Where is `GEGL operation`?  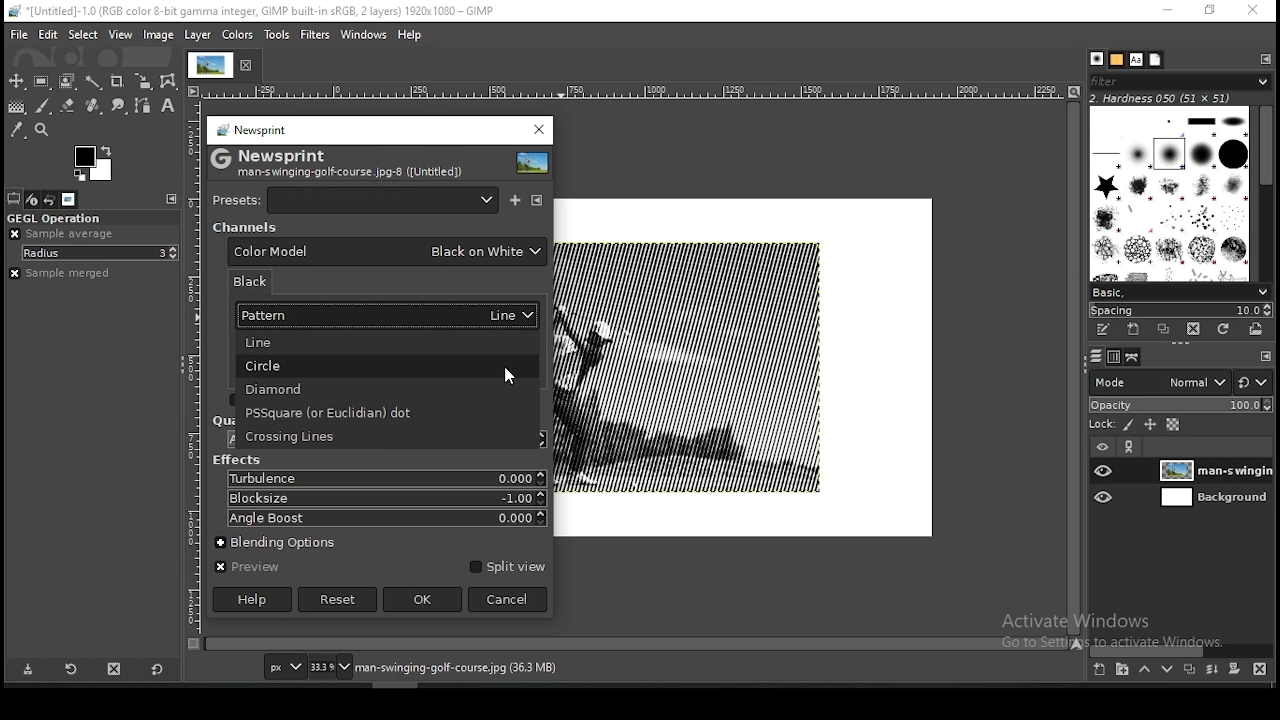 GEGL operation is located at coordinates (58, 217).